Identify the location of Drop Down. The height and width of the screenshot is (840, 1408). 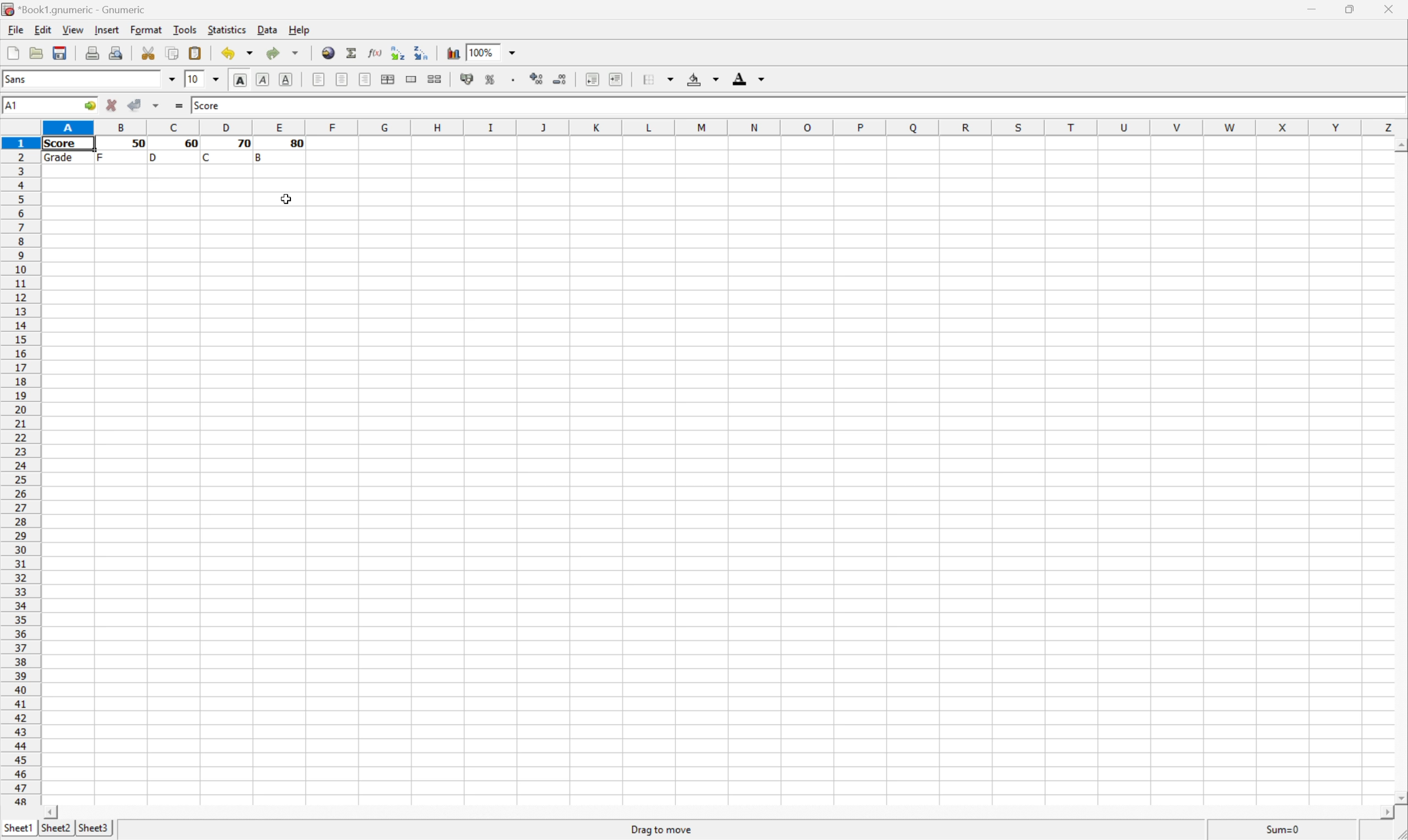
(511, 54).